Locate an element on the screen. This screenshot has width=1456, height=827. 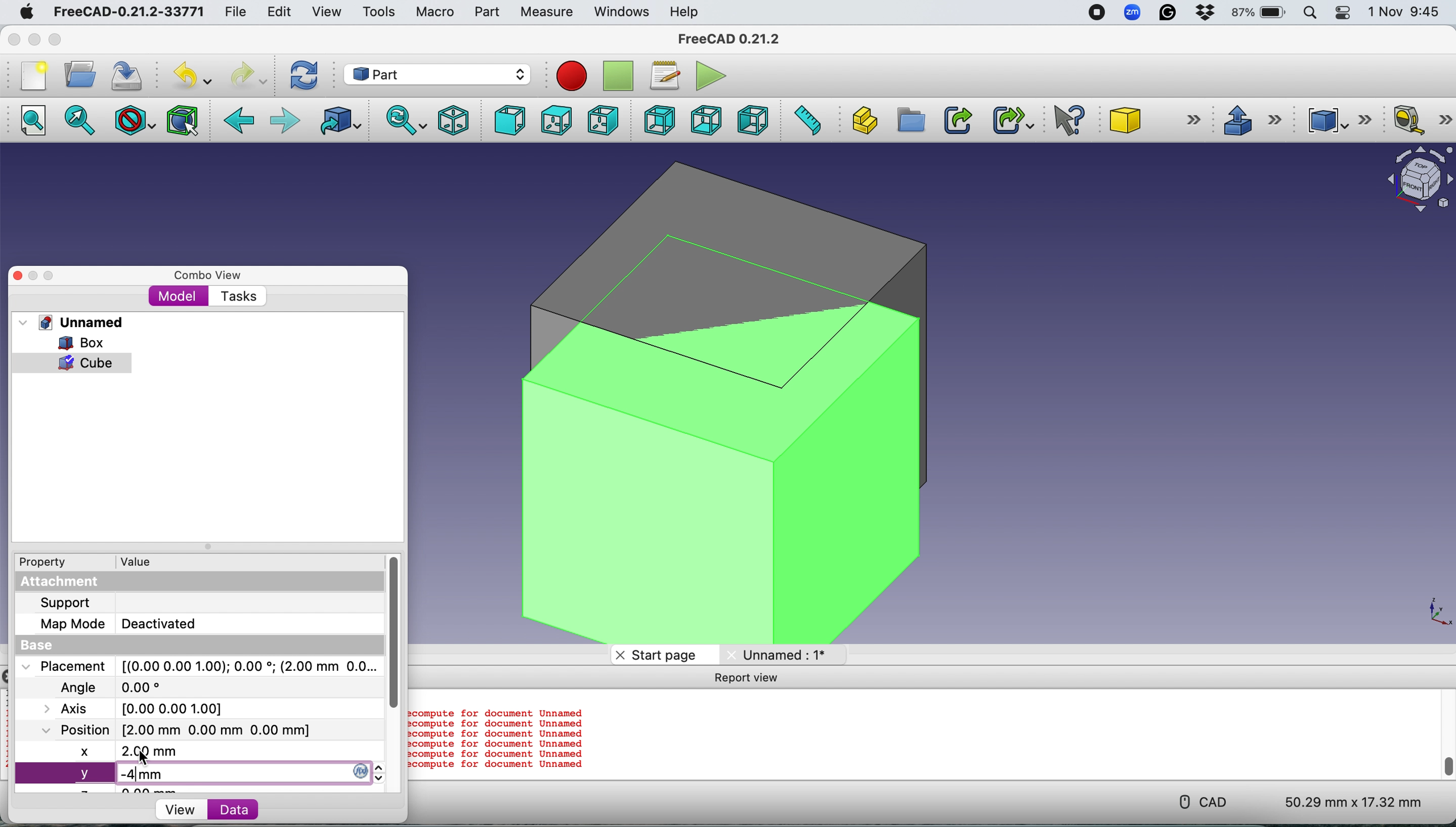
Fit all is located at coordinates (39, 122).